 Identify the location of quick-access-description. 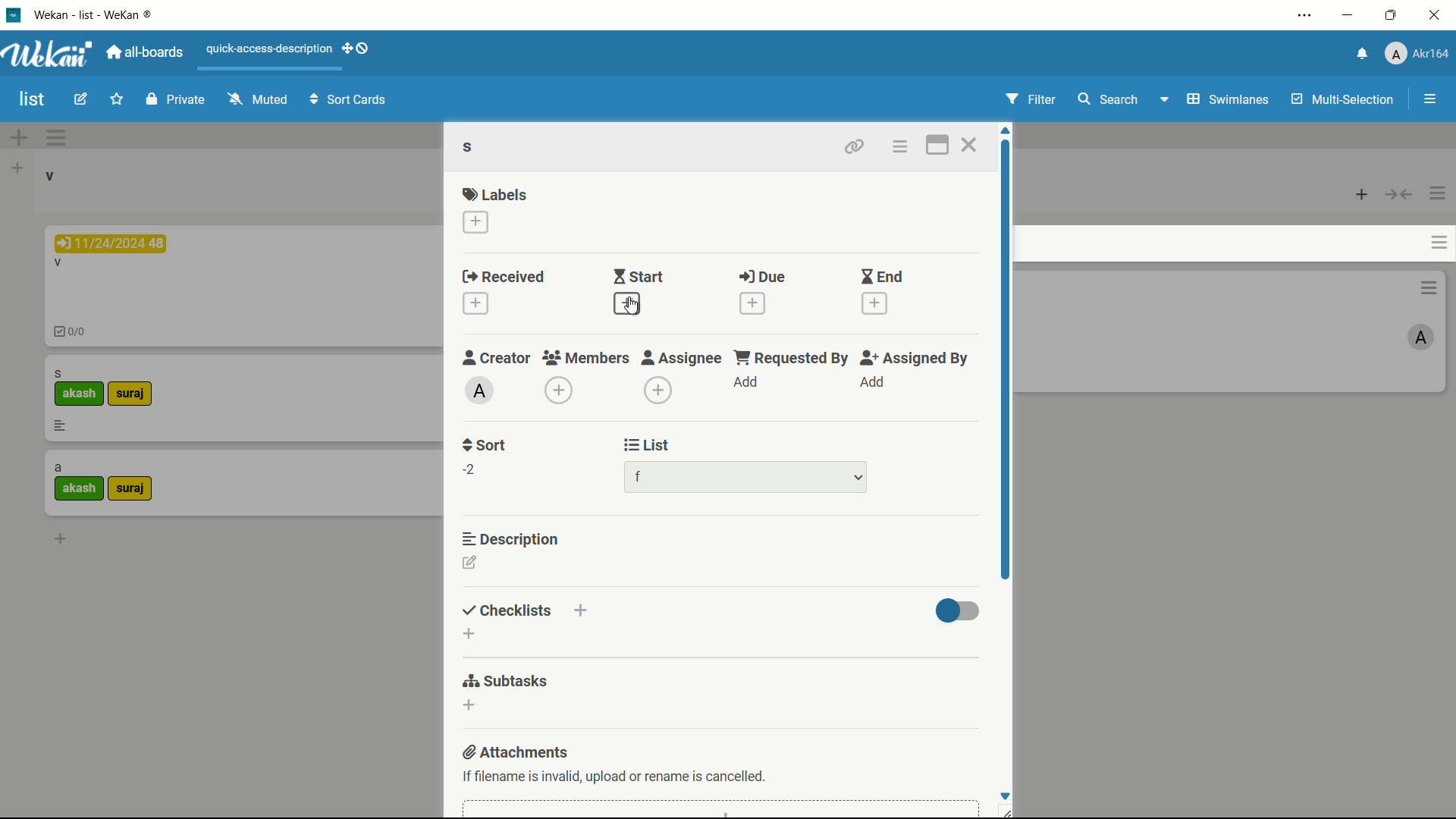
(271, 49).